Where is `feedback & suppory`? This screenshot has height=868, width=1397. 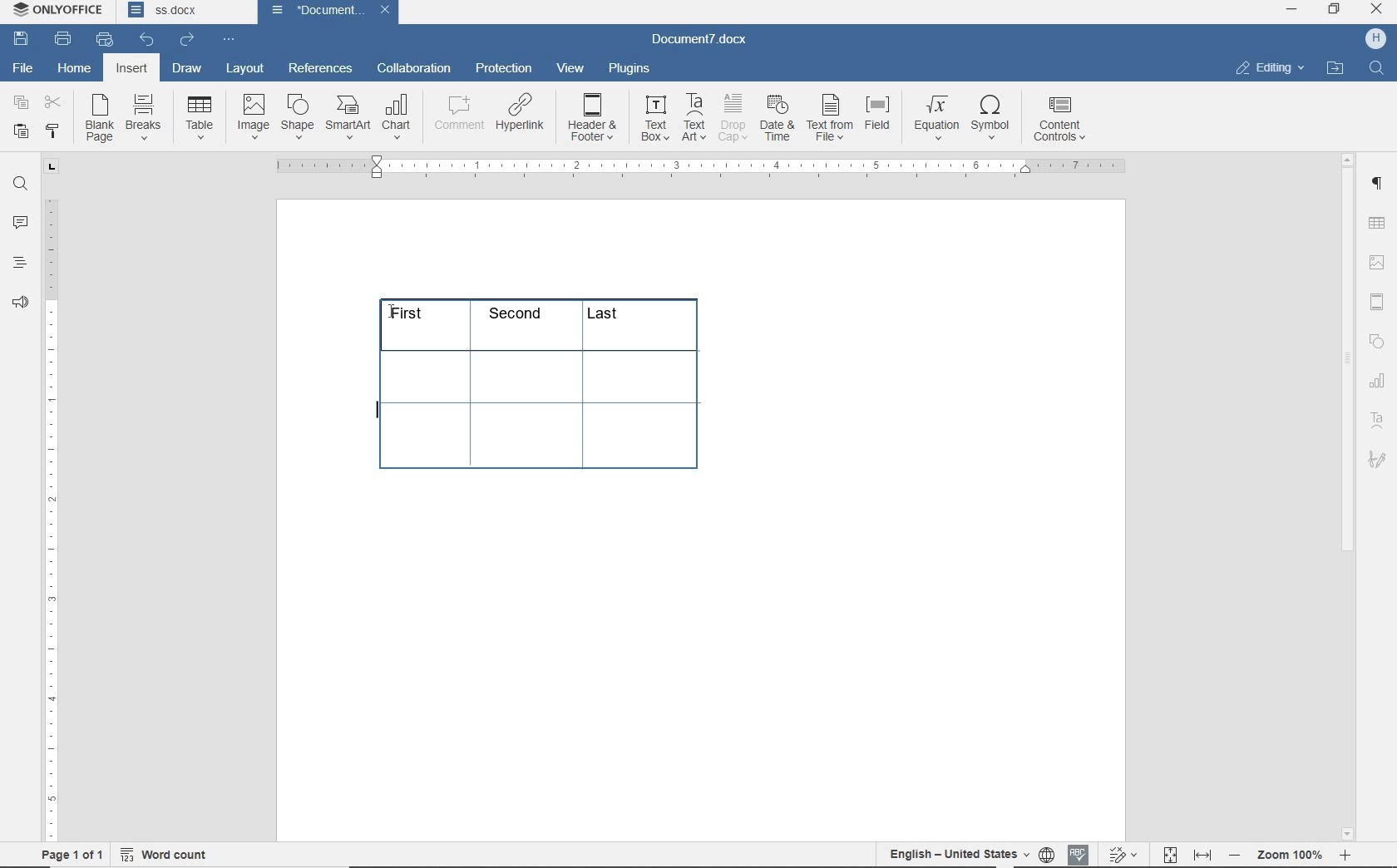 feedback & suppory is located at coordinates (21, 305).